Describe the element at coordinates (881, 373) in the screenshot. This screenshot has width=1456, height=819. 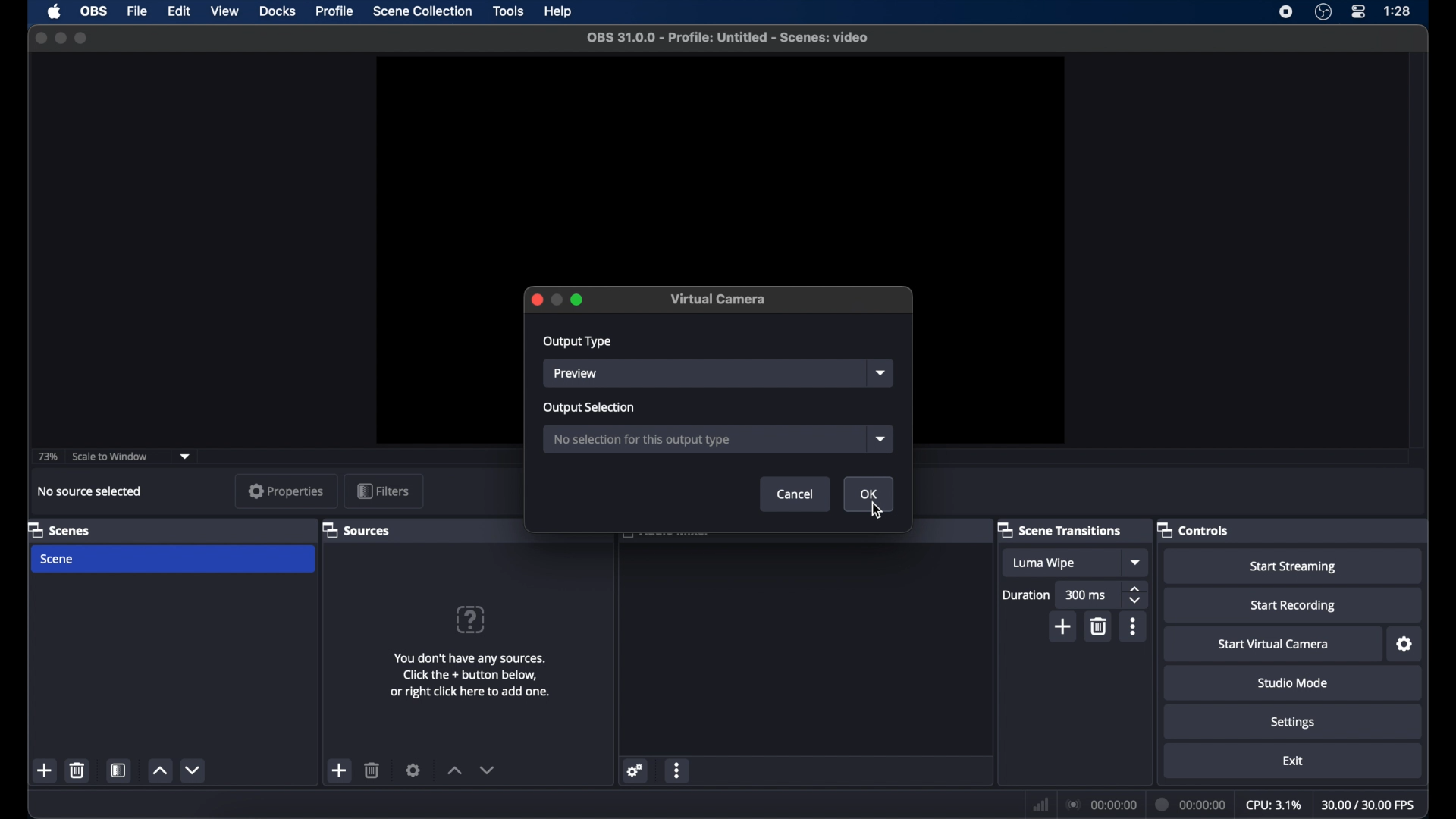
I see `dropdown` at that location.